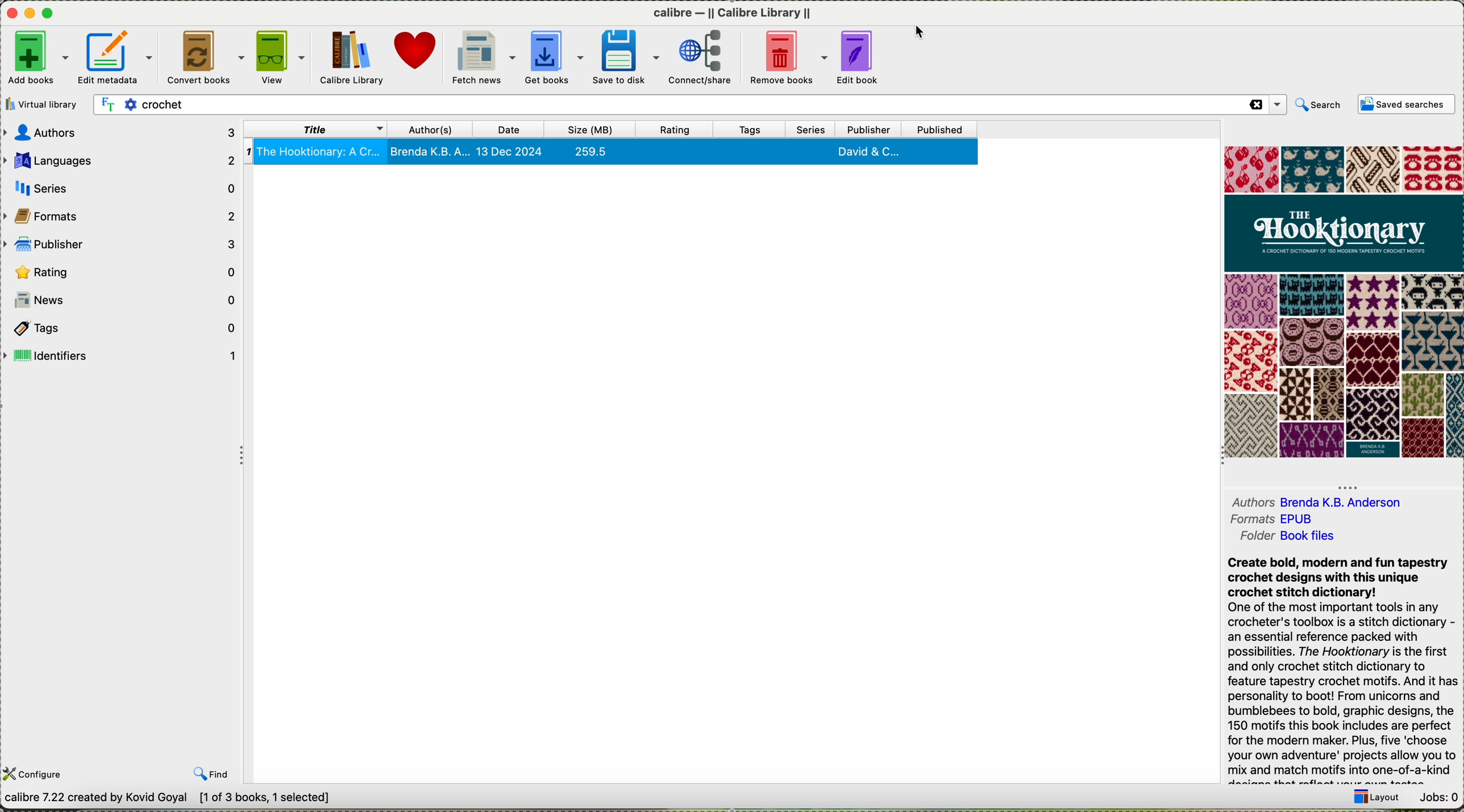 The width and height of the screenshot is (1464, 812). What do you see at coordinates (315, 152) in the screenshot?
I see `The Hooktionary: A Cr..` at bounding box center [315, 152].